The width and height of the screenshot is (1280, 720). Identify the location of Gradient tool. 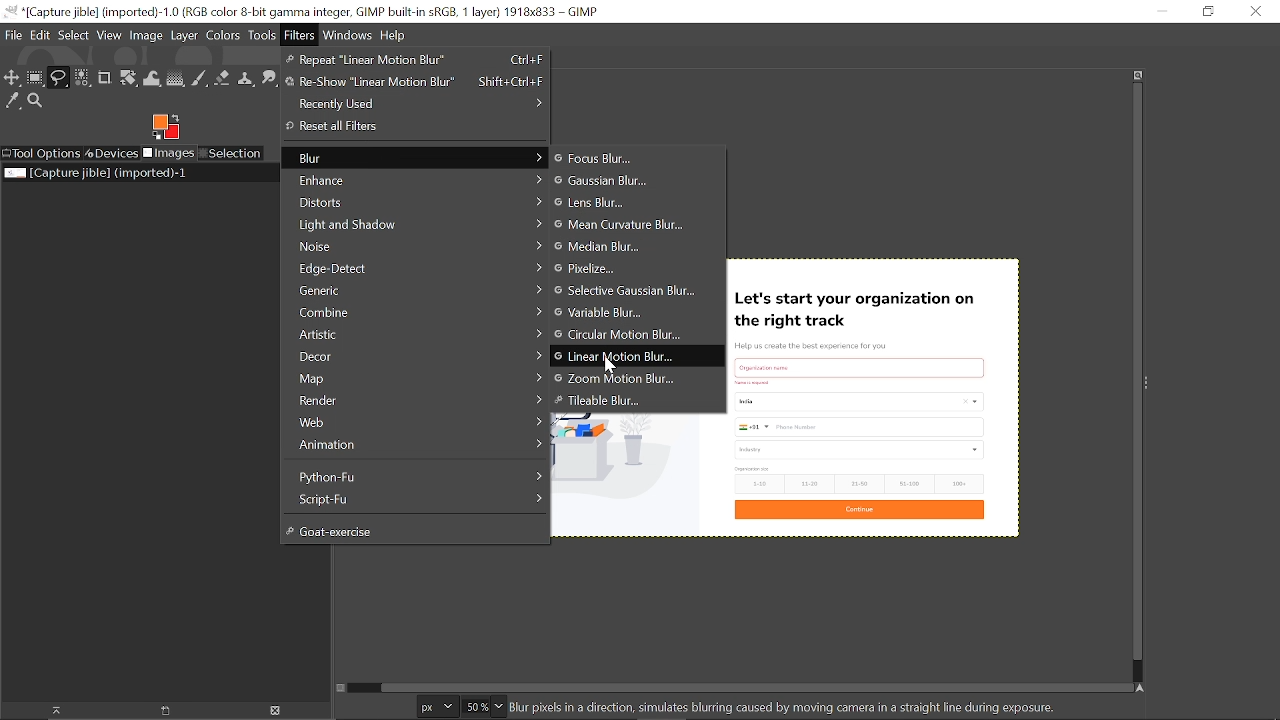
(176, 78).